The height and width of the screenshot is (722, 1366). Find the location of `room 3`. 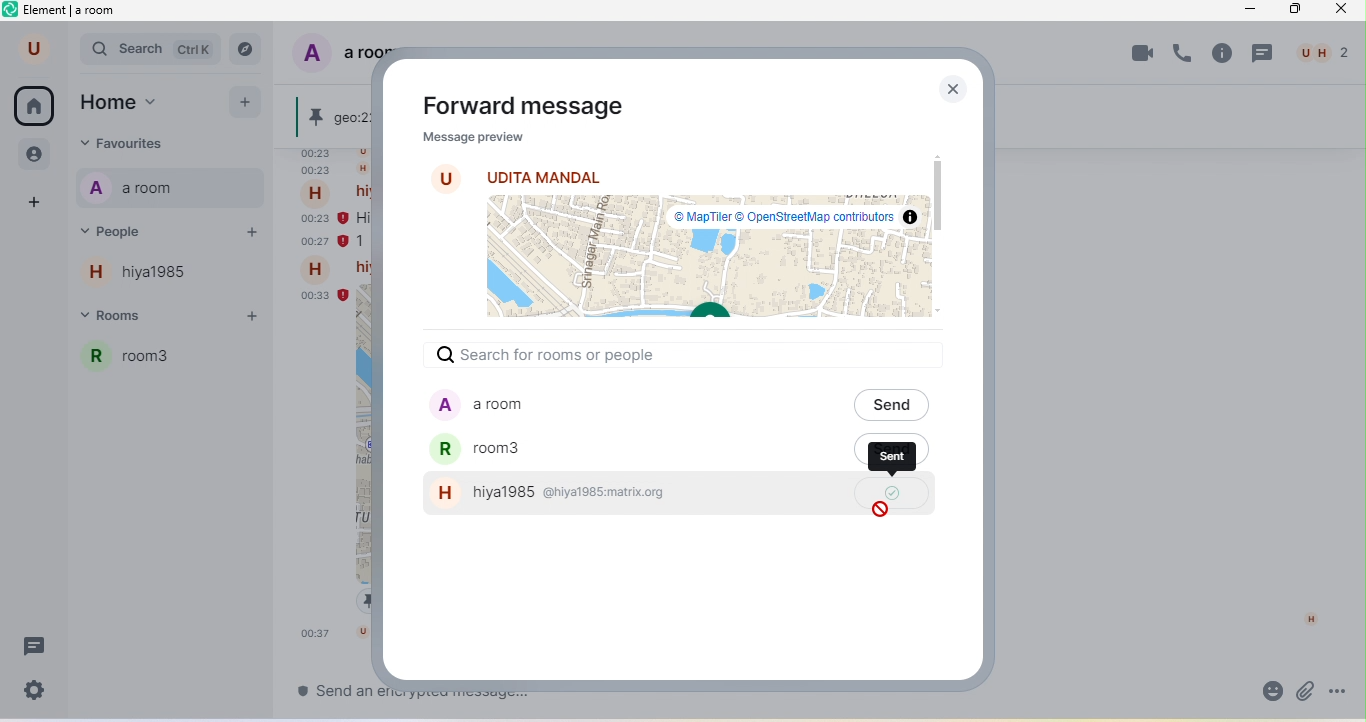

room 3 is located at coordinates (175, 365).